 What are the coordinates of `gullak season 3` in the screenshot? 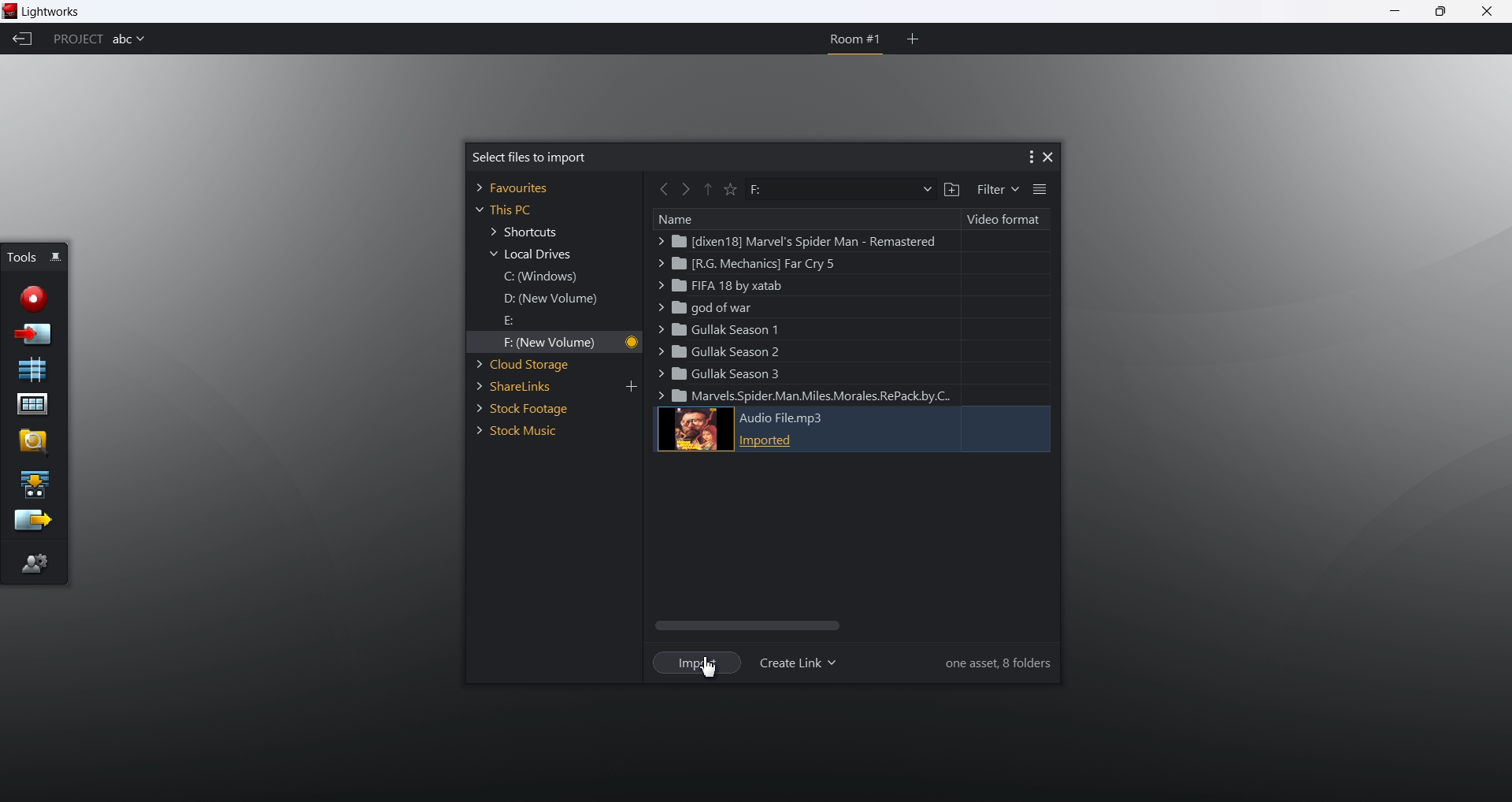 It's located at (717, 375).